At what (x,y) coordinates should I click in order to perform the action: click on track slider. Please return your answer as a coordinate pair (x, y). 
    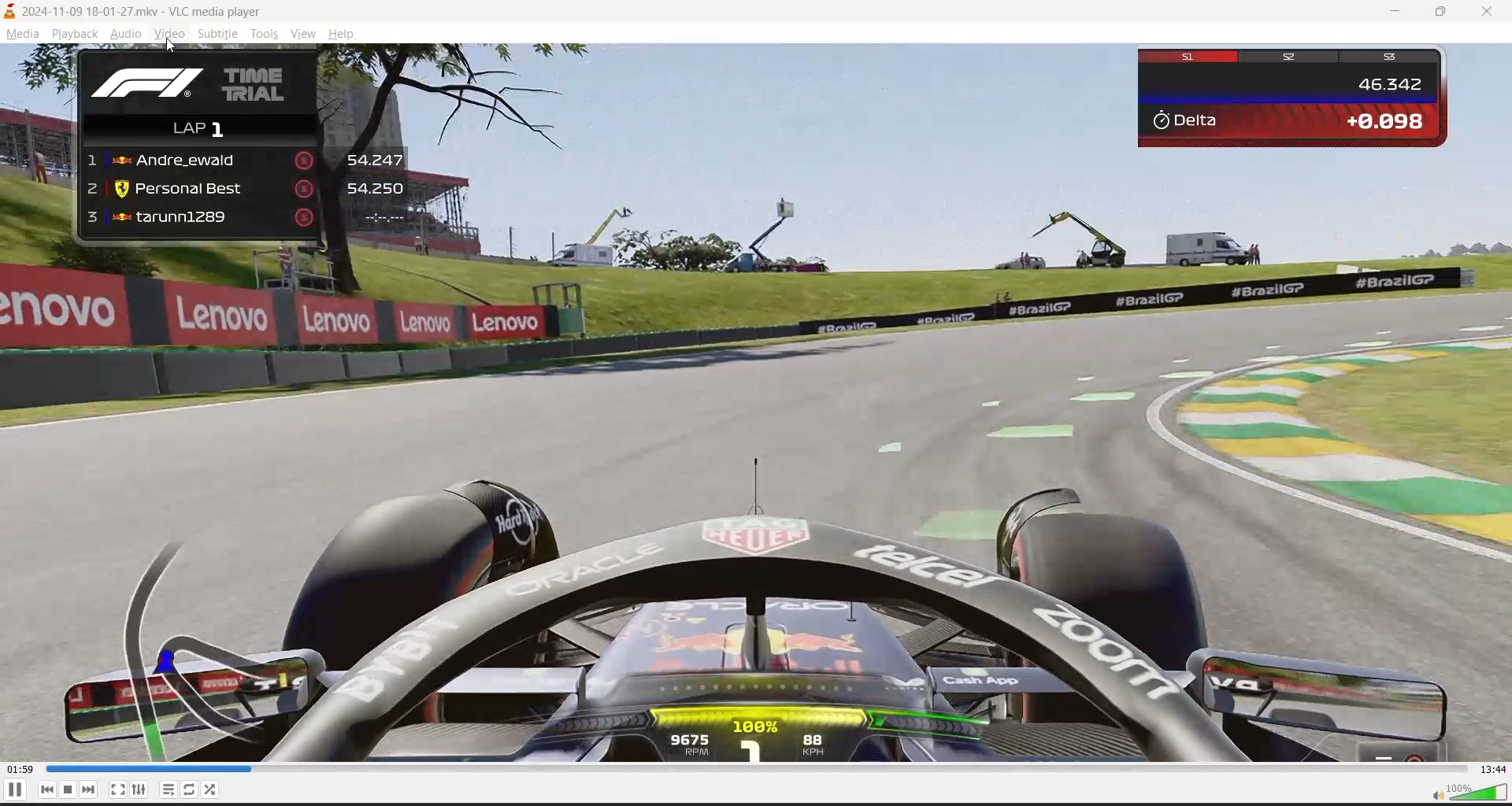
    Looking at the image, I should click on (750, 769).